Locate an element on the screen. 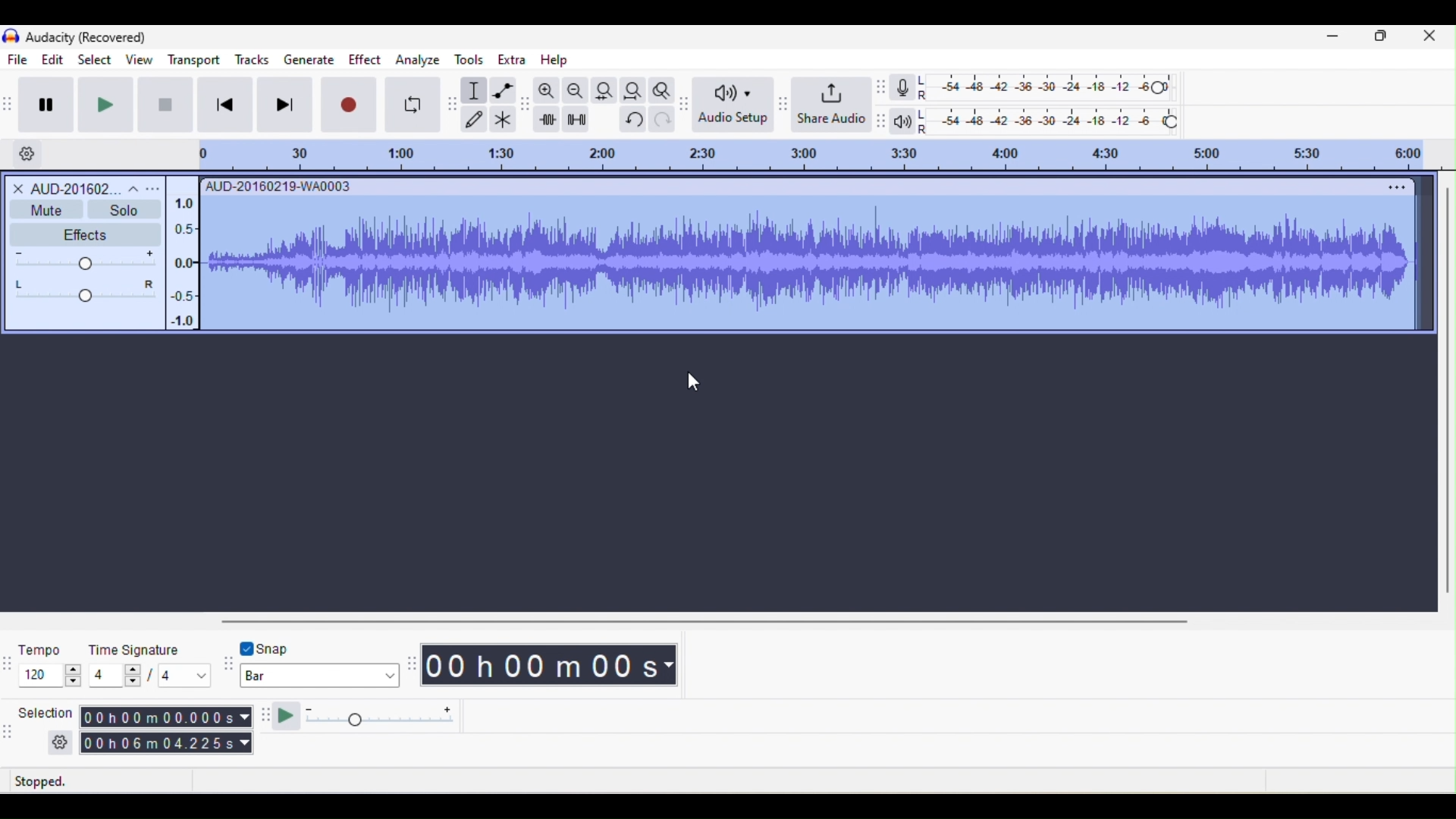 This screenshot has height=819, width=1456. Tracks is located at coordinates (253, 58).